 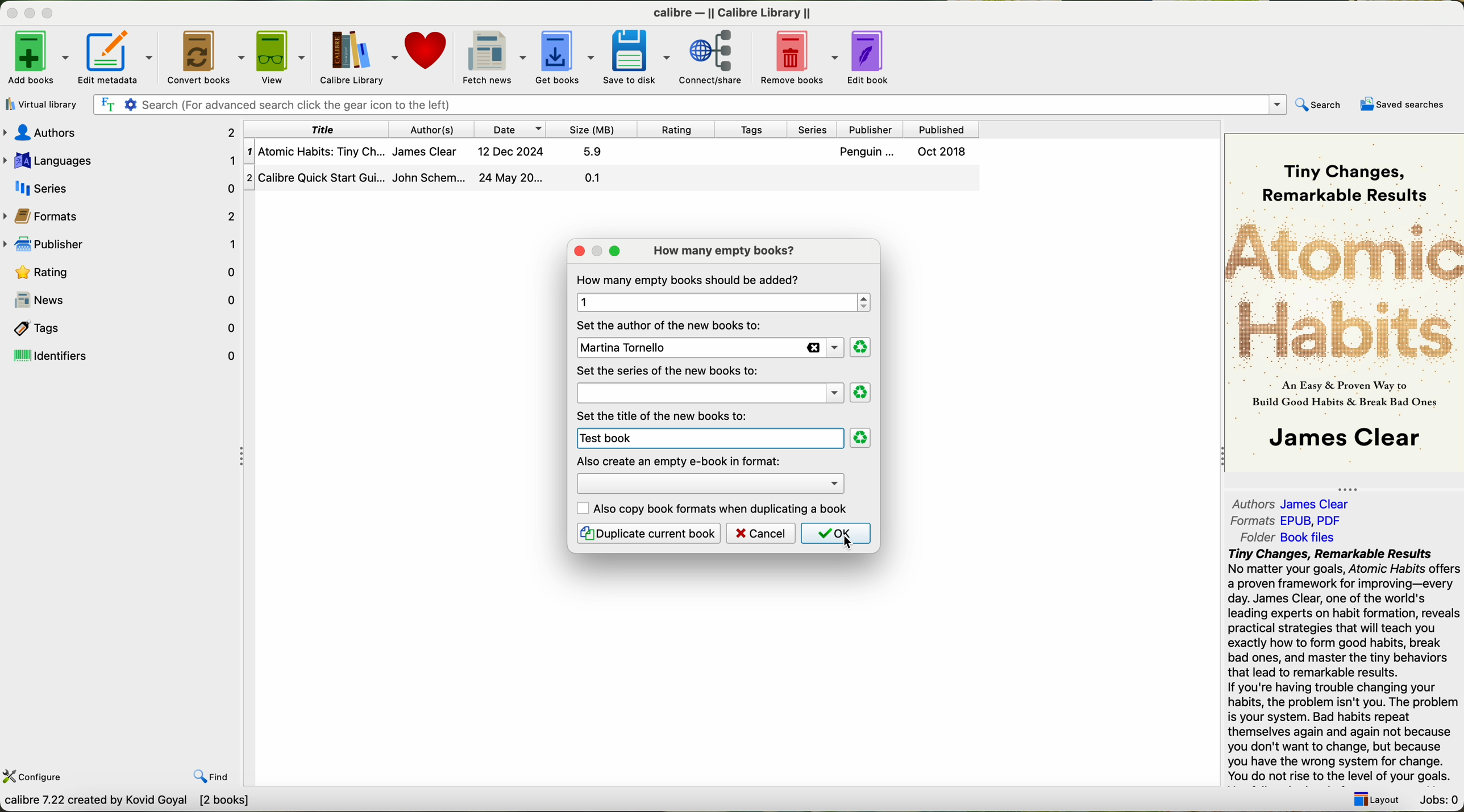 What do you see at coordinates (875, 129) in the screenshot?
I see `publisher` at bounding box center [875, 129].